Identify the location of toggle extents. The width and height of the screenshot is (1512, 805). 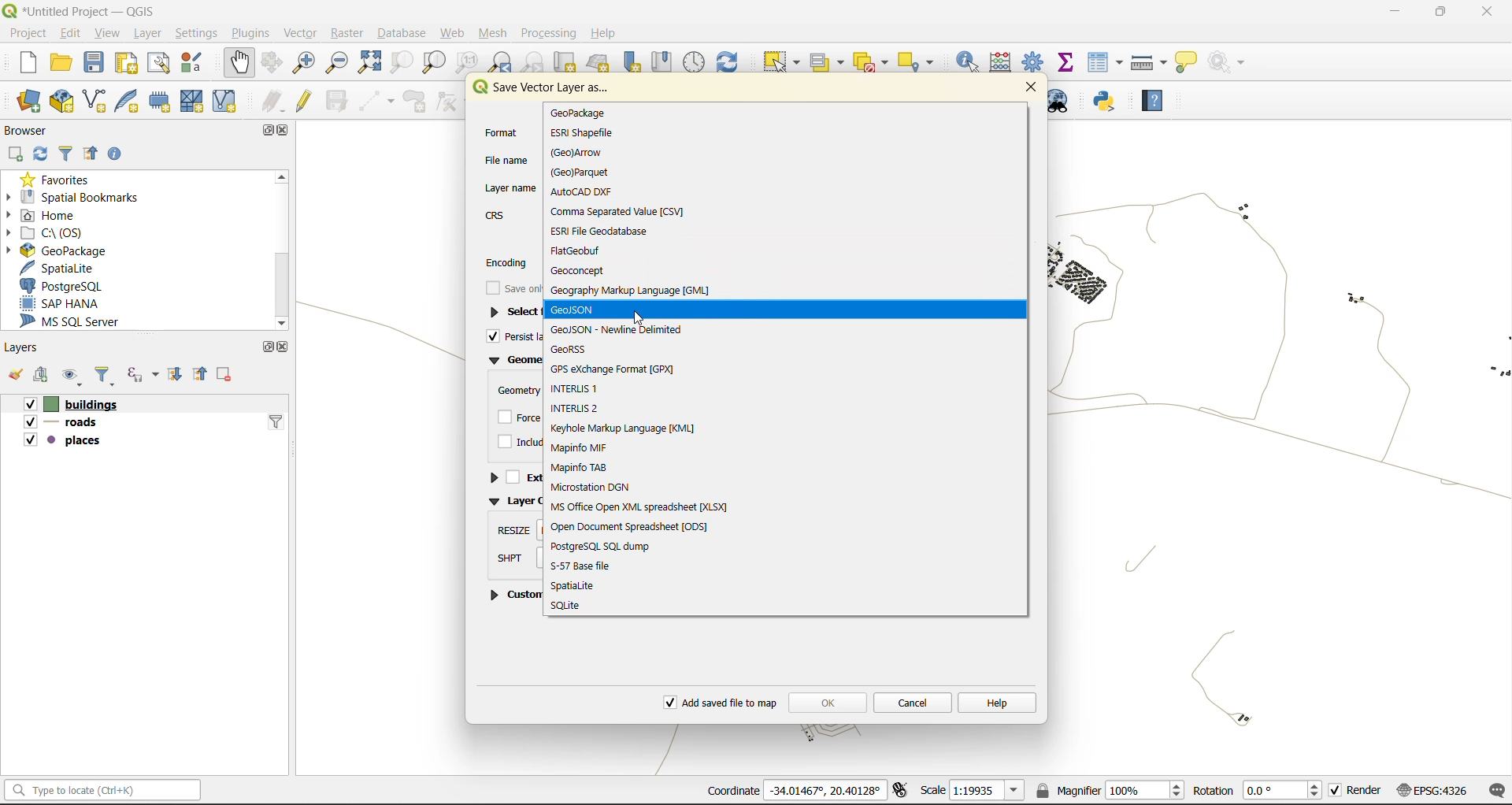
(903, 791).